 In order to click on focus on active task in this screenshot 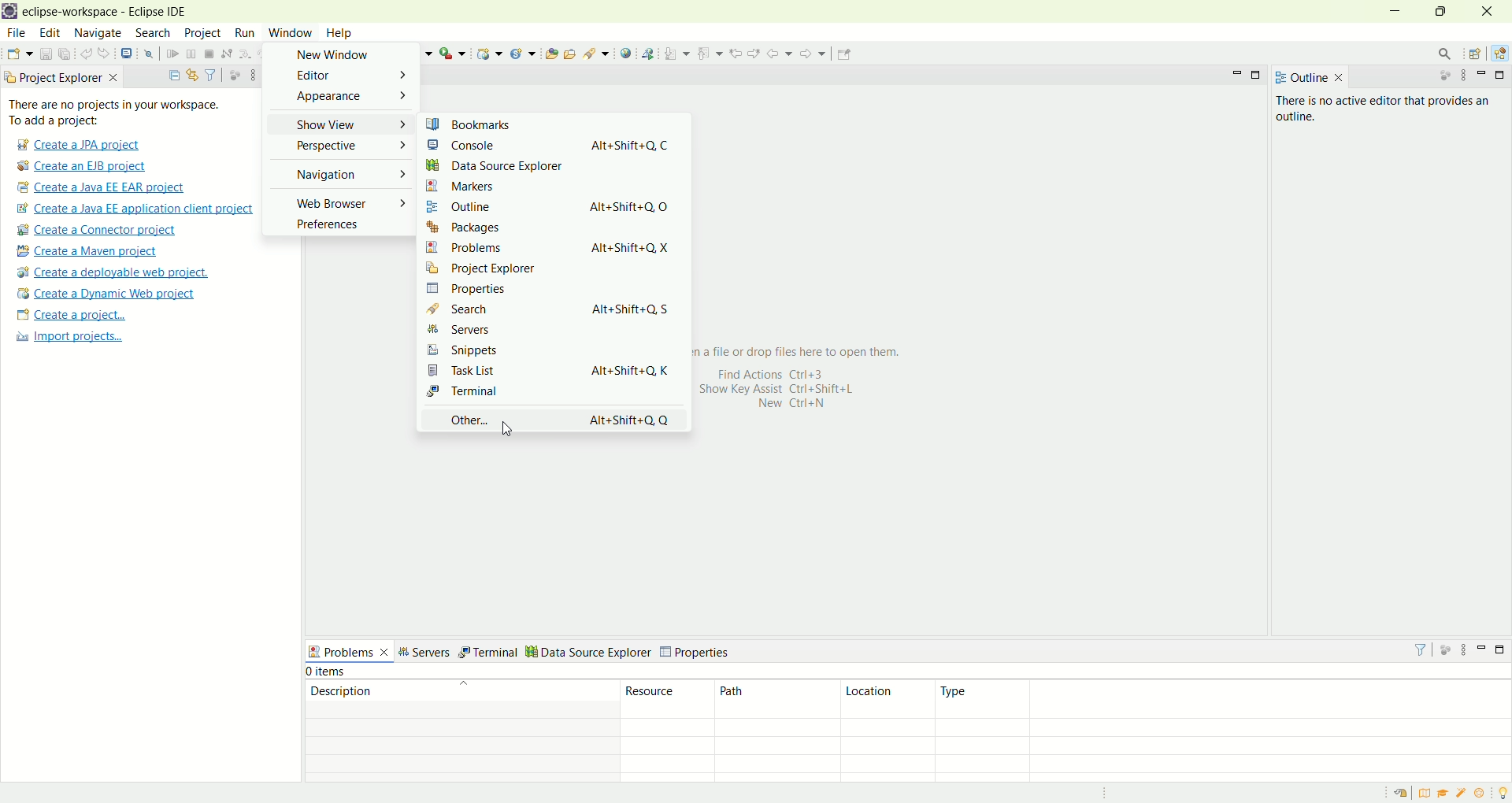, I will do `click(1446, 649)`.